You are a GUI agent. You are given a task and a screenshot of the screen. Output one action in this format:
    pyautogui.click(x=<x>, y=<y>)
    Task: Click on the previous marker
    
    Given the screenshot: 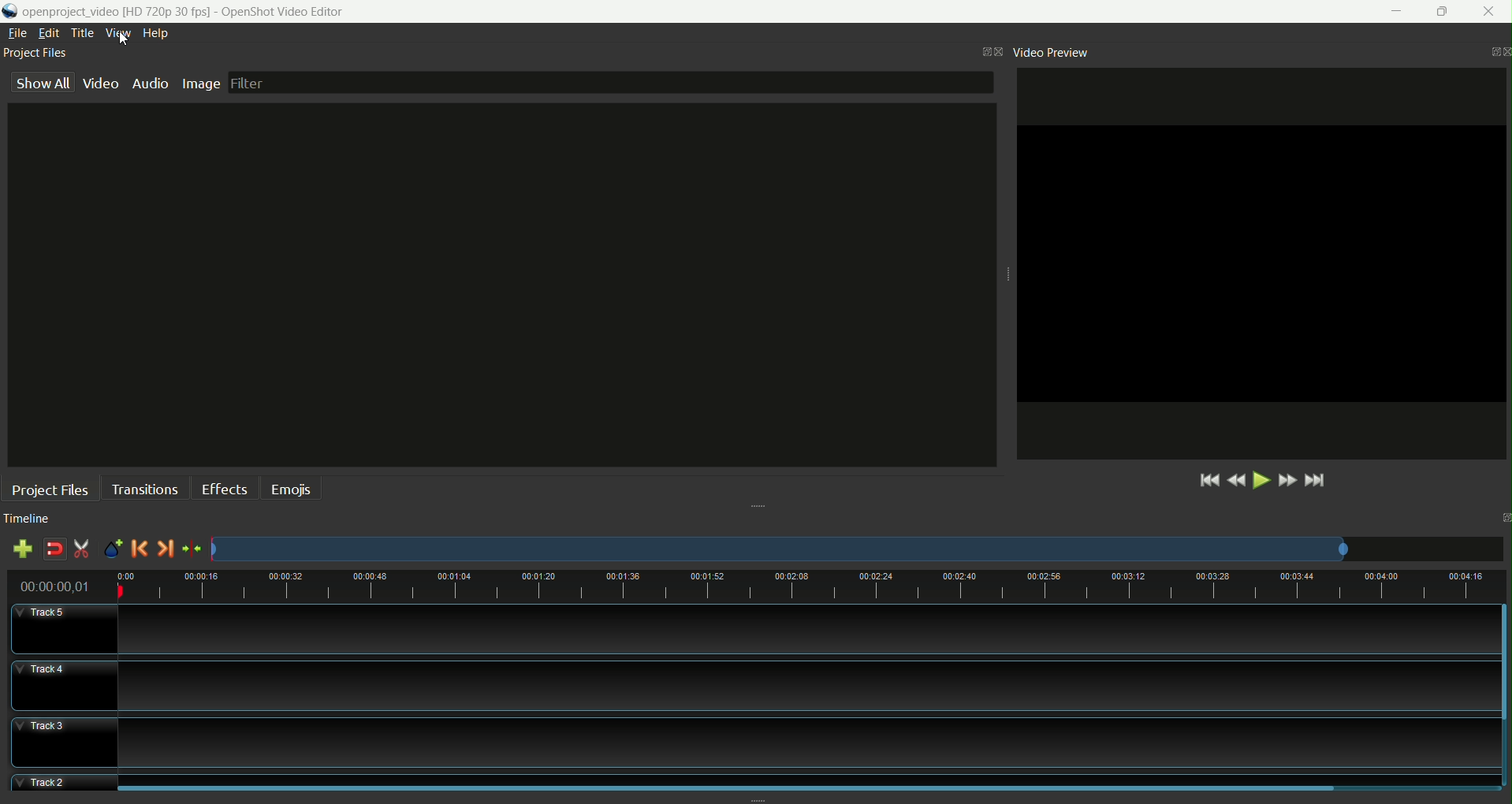 What is the action you would take?
    pyautogui.click(x=140, y=550)
    